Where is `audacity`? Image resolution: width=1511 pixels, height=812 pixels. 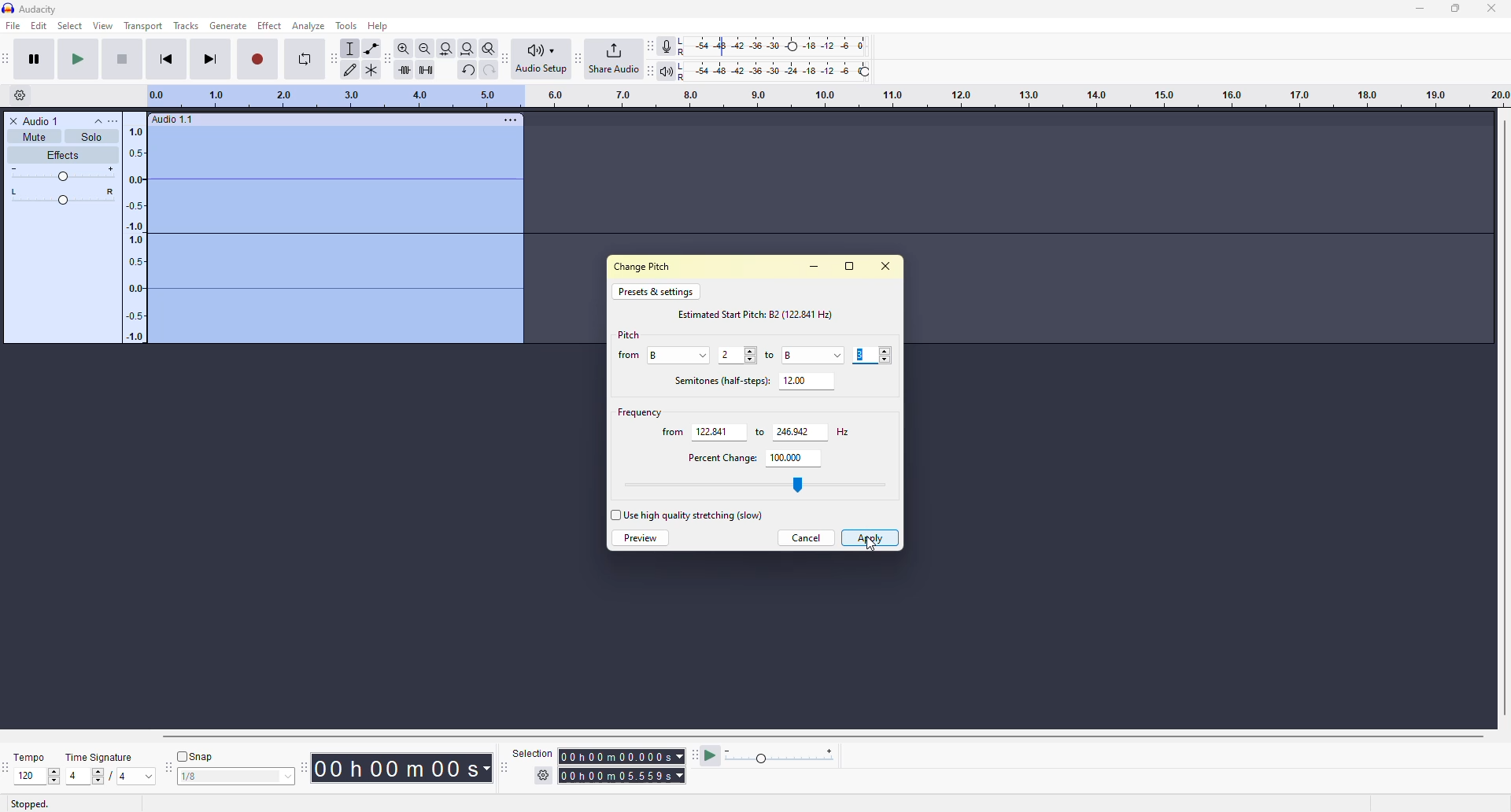 audacity is located at coordinates (29, 9).